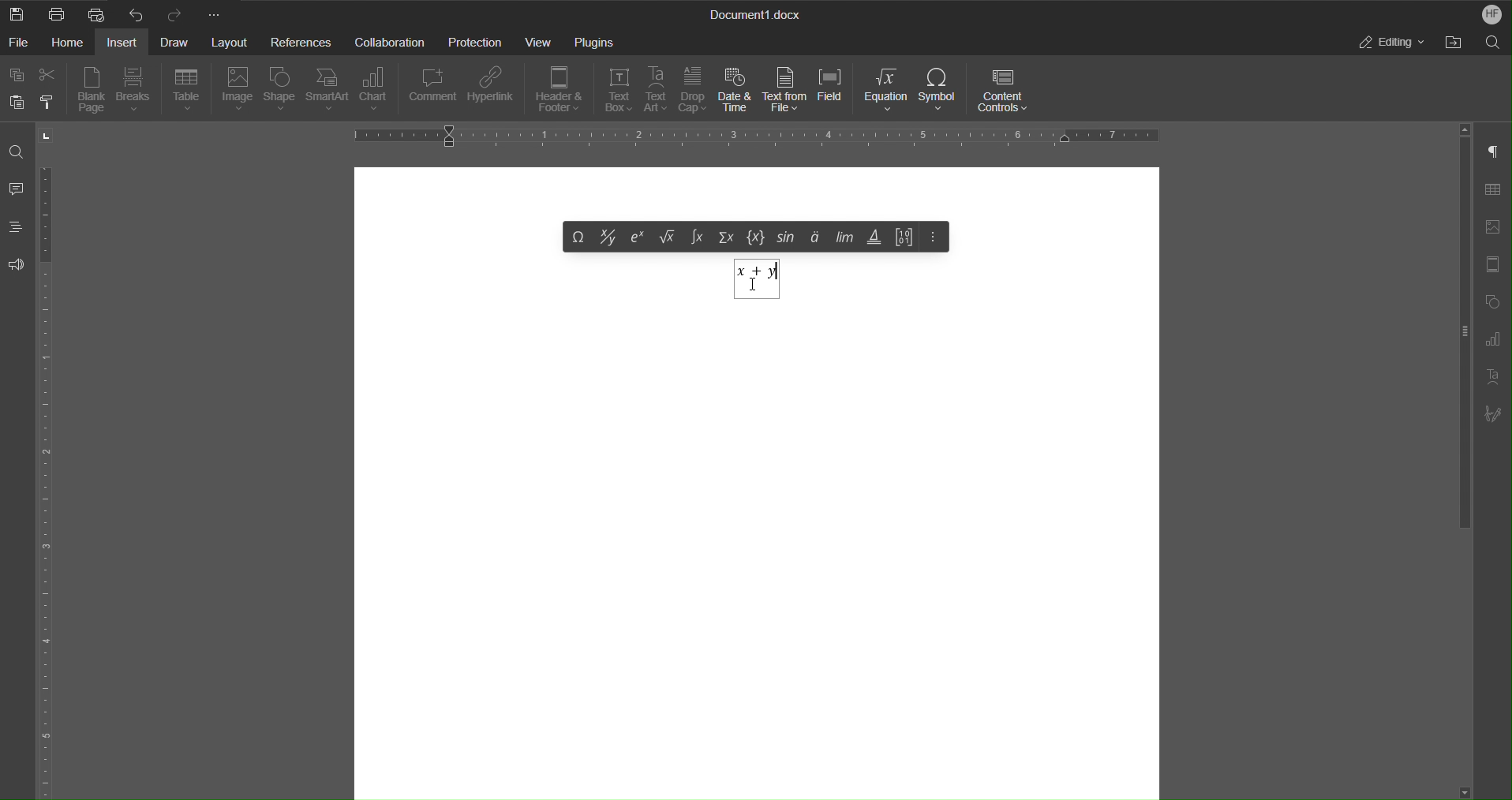  I want to click on Shape, so click(279, 91).